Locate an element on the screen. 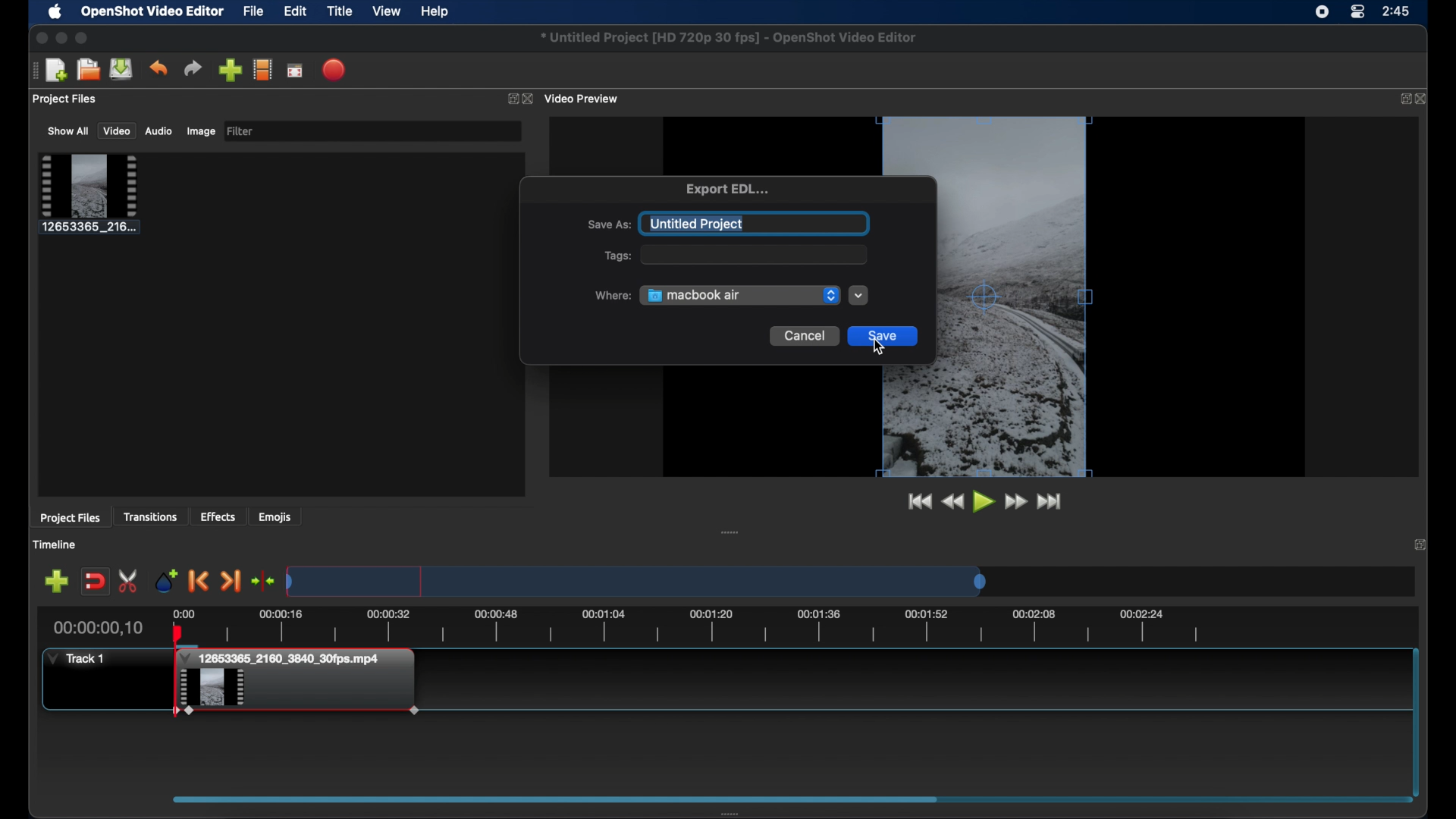  previous marker is located at coordinates (199, 581).